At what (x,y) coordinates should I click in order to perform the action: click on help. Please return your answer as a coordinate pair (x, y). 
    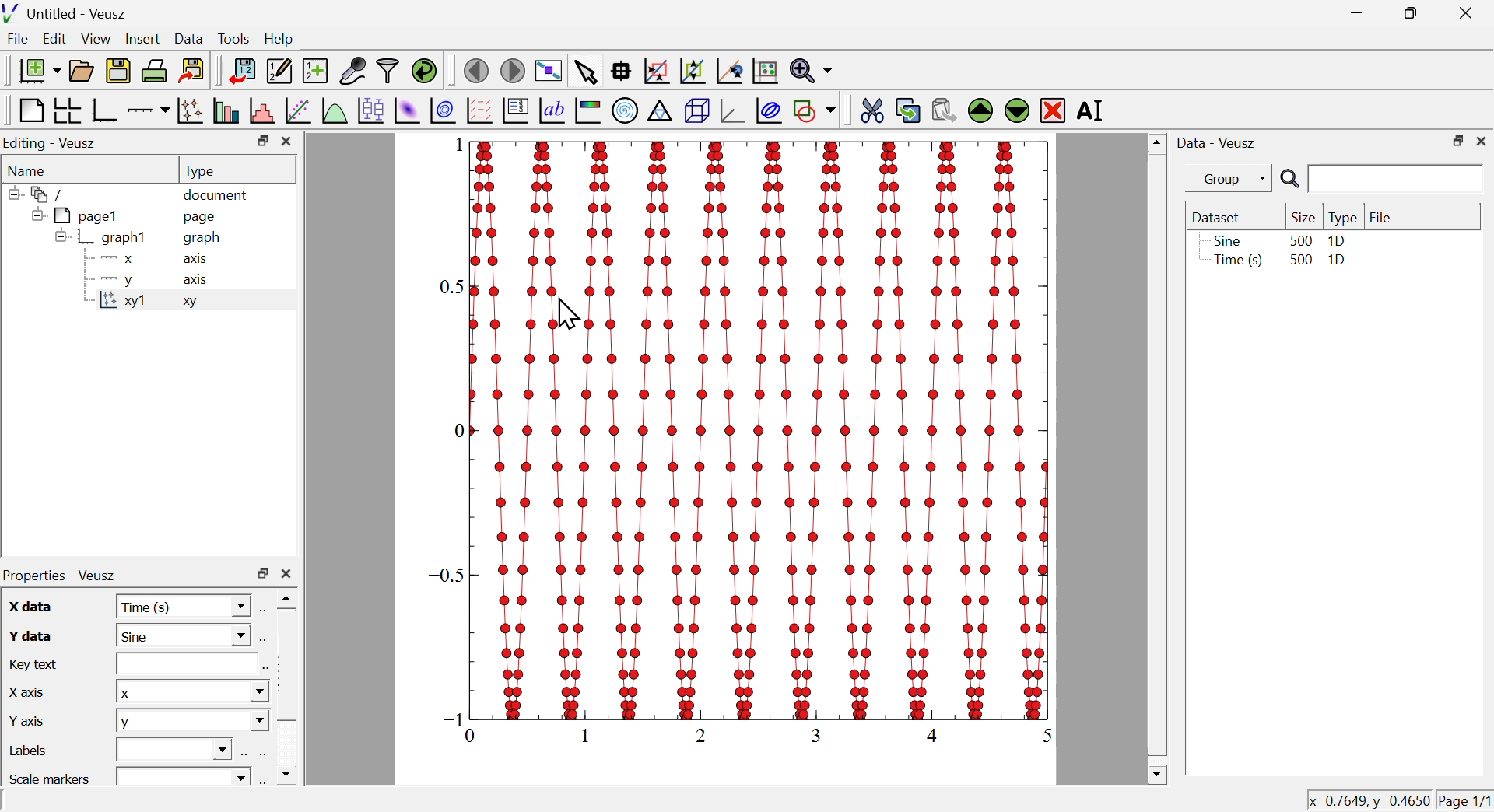
    Looking at the image, I should click on (279, 40).